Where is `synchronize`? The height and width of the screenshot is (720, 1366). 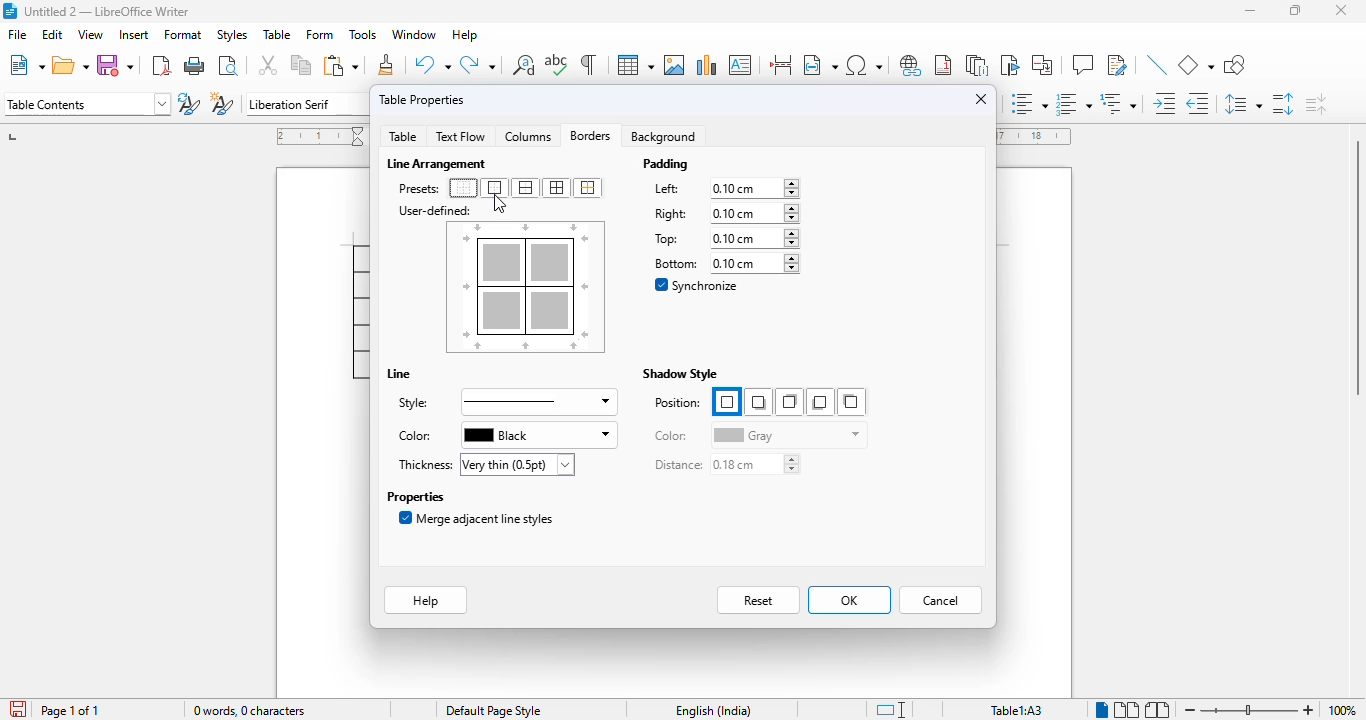 synchronize is located at coordinates (699, 286).